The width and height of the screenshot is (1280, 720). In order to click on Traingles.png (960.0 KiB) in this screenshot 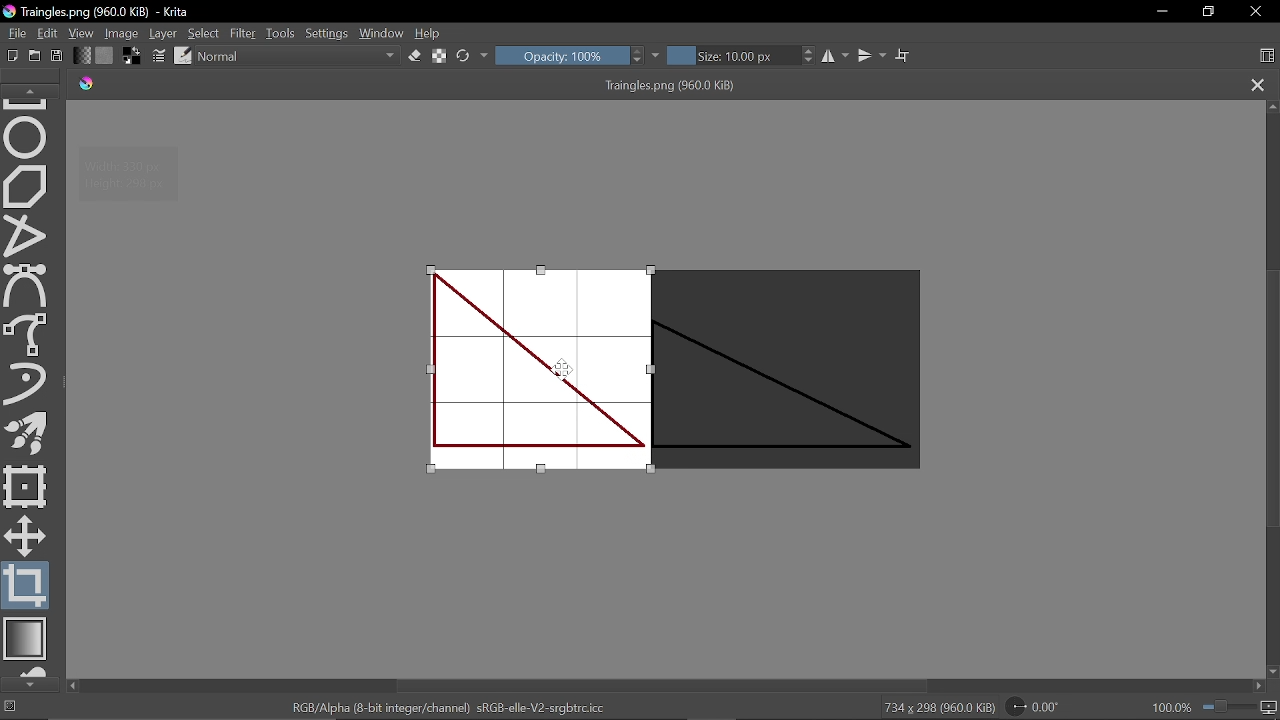, I will do `click(648, 86)`.